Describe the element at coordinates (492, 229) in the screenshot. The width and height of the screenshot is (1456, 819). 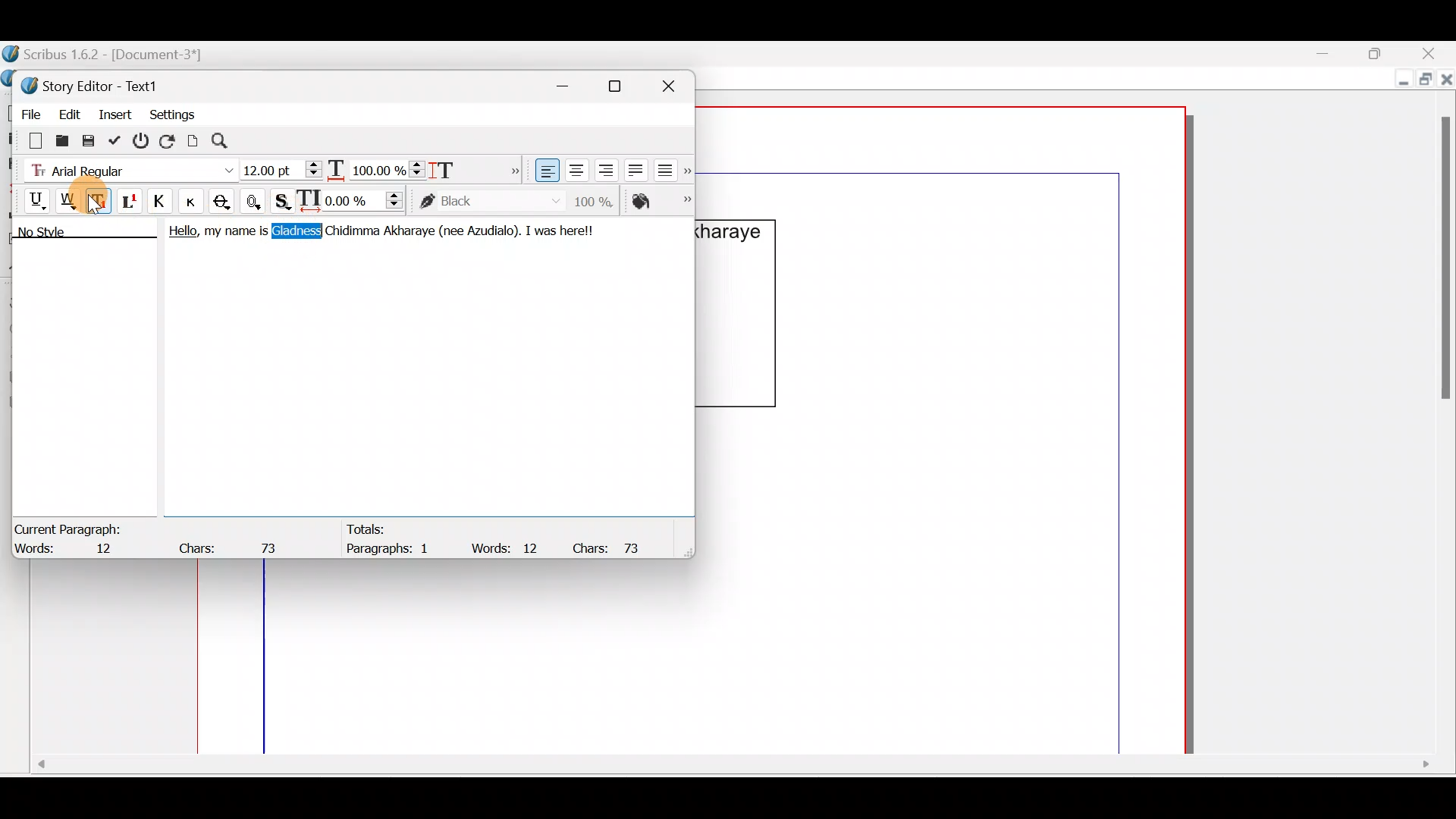
I see `Azudialo).` at that location.